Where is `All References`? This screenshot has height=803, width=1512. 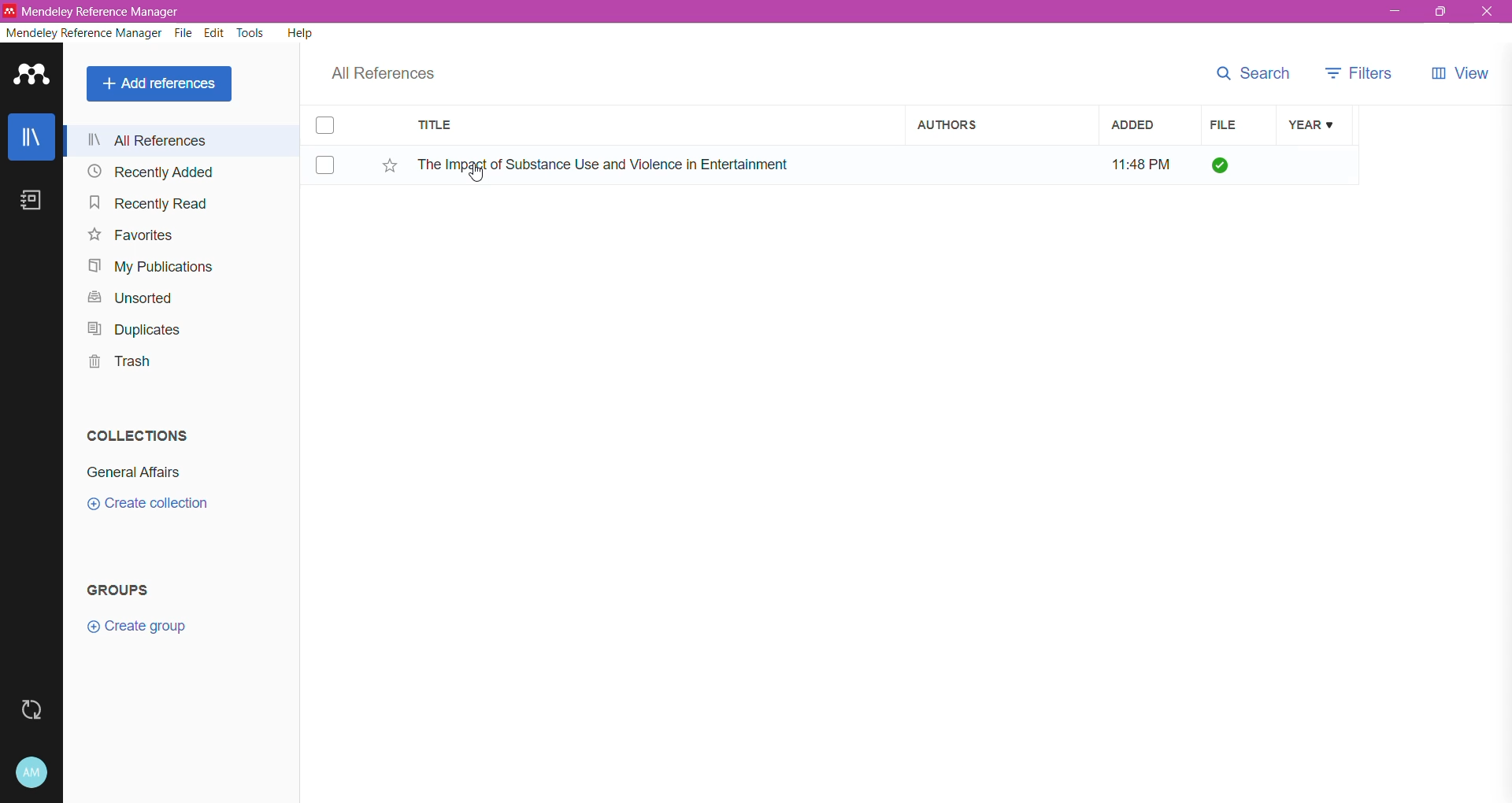
All References is located at coordinates (386, 73).